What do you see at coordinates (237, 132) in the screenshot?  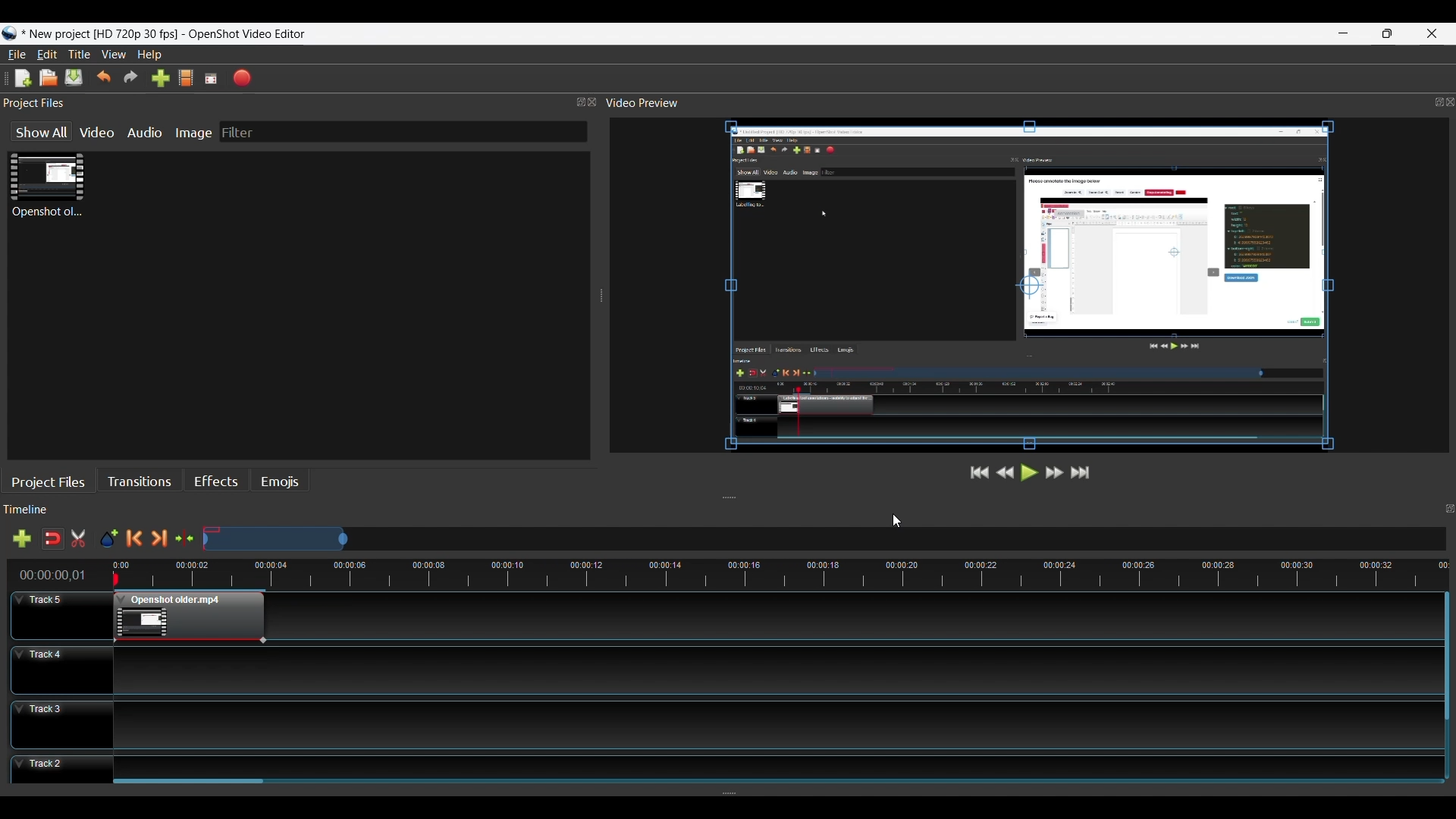 I see `Filter` at bounding box center [237, 132].